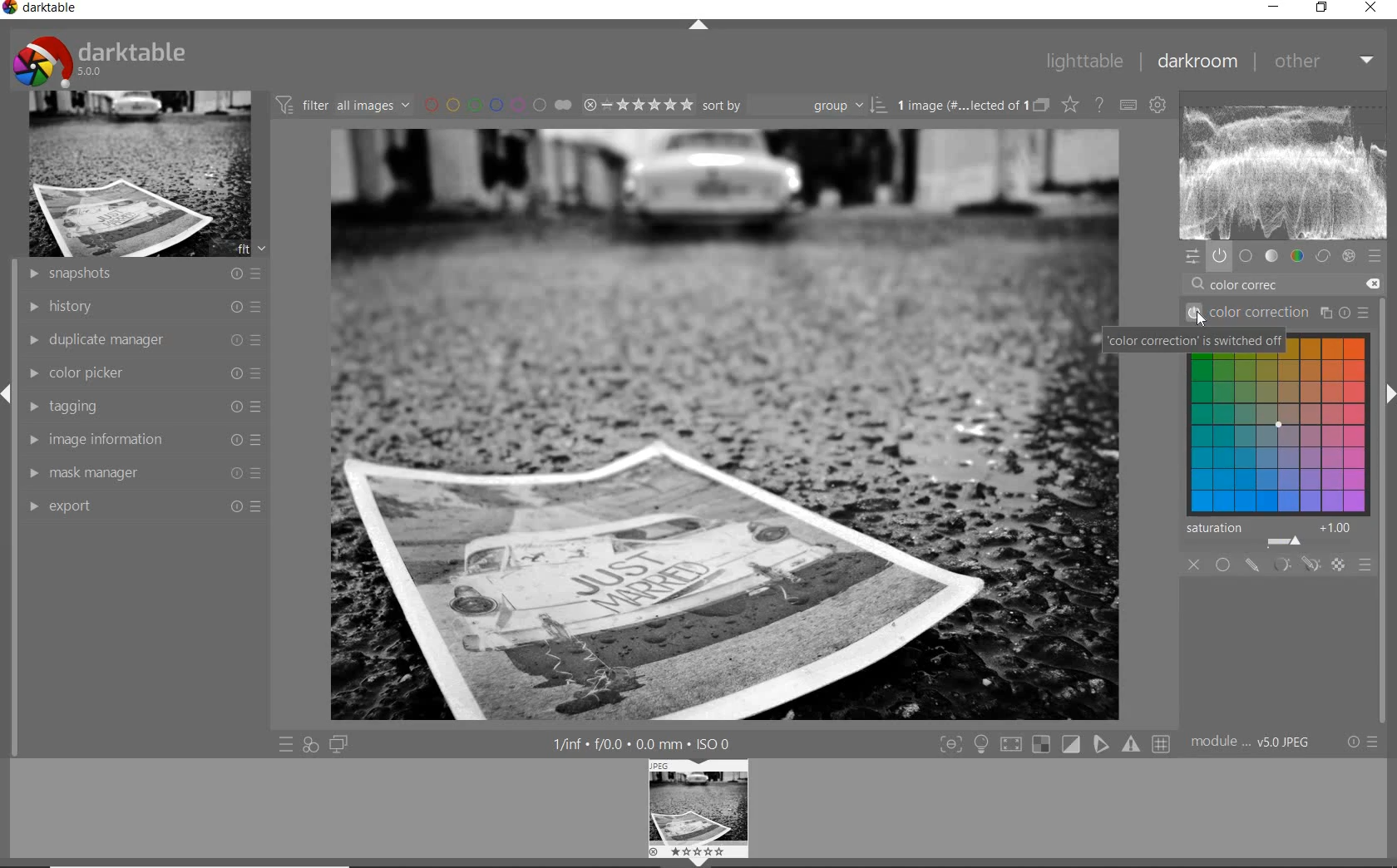 This screenshot has height=868, width=1397. What do you see at coordinates (1222, 565) in the screenshot?
I see `uniformly` at bounding box center [1222, 565].